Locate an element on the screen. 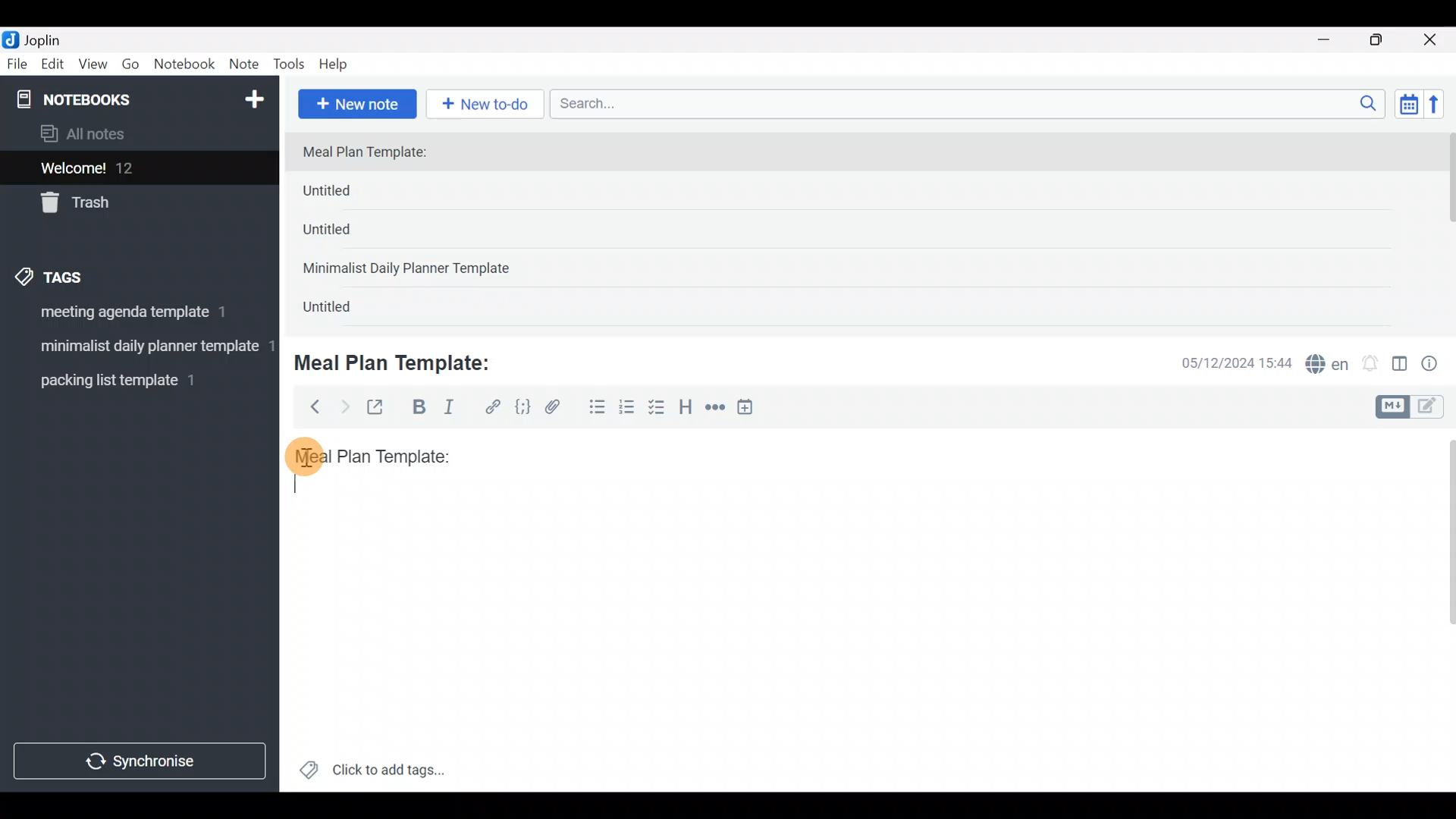 Image resolution: width=1456 pixels, height=819 pixels. Help is located at coordinates (339, 61).